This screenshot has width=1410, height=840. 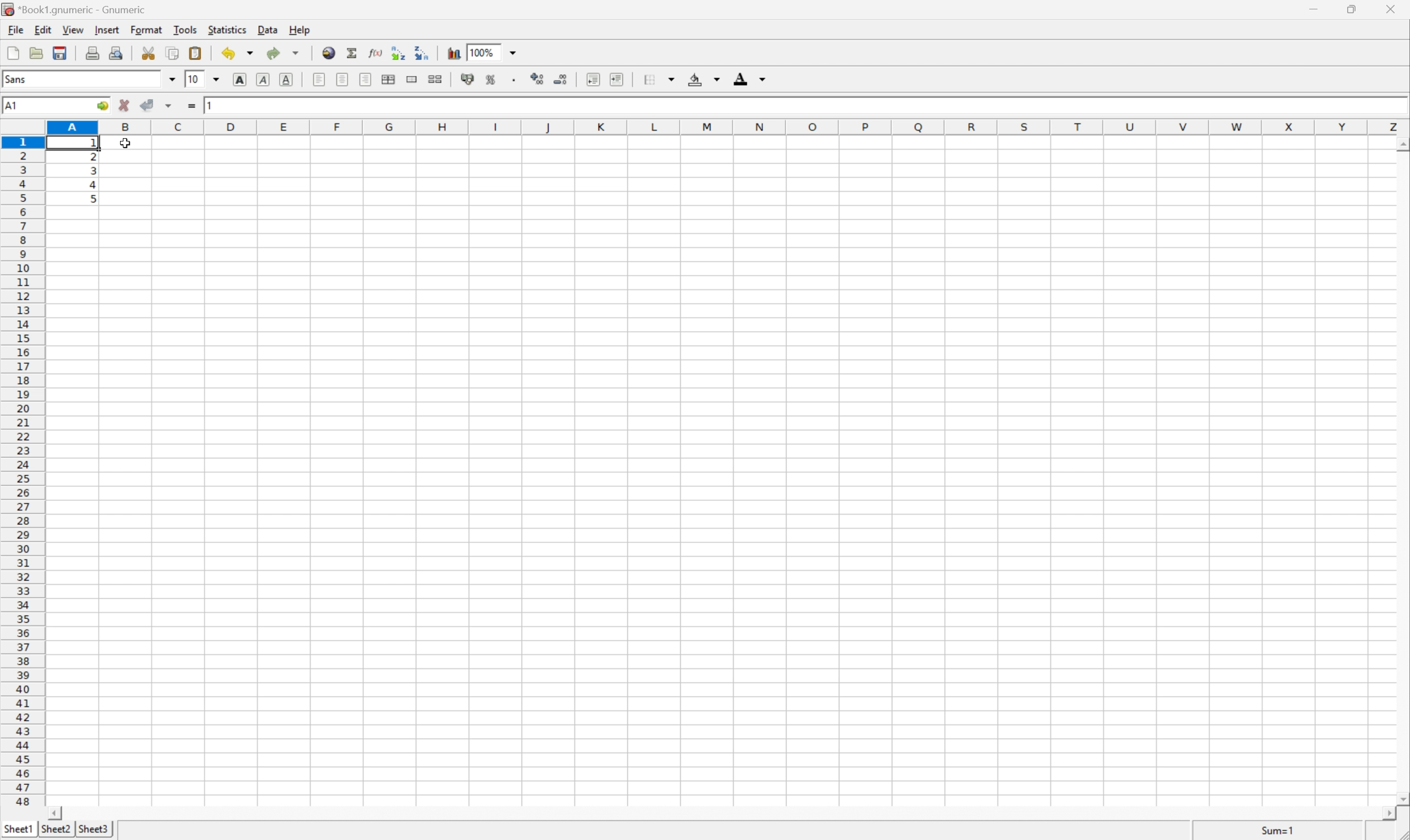 I want to click on Scroll Up, so click(x=1401, y=144).